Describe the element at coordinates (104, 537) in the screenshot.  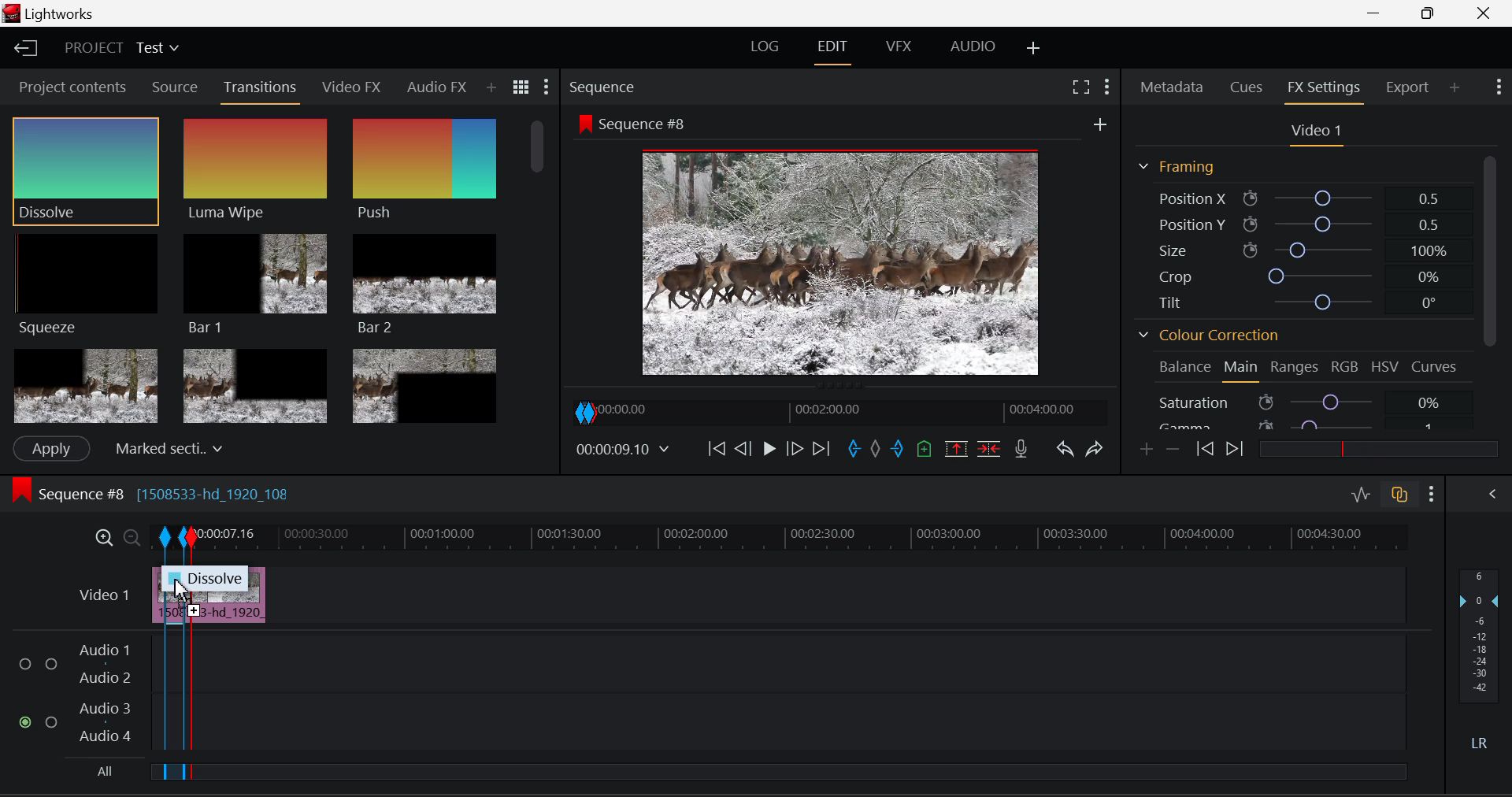
I see `Timeline Zoom In` at that location.